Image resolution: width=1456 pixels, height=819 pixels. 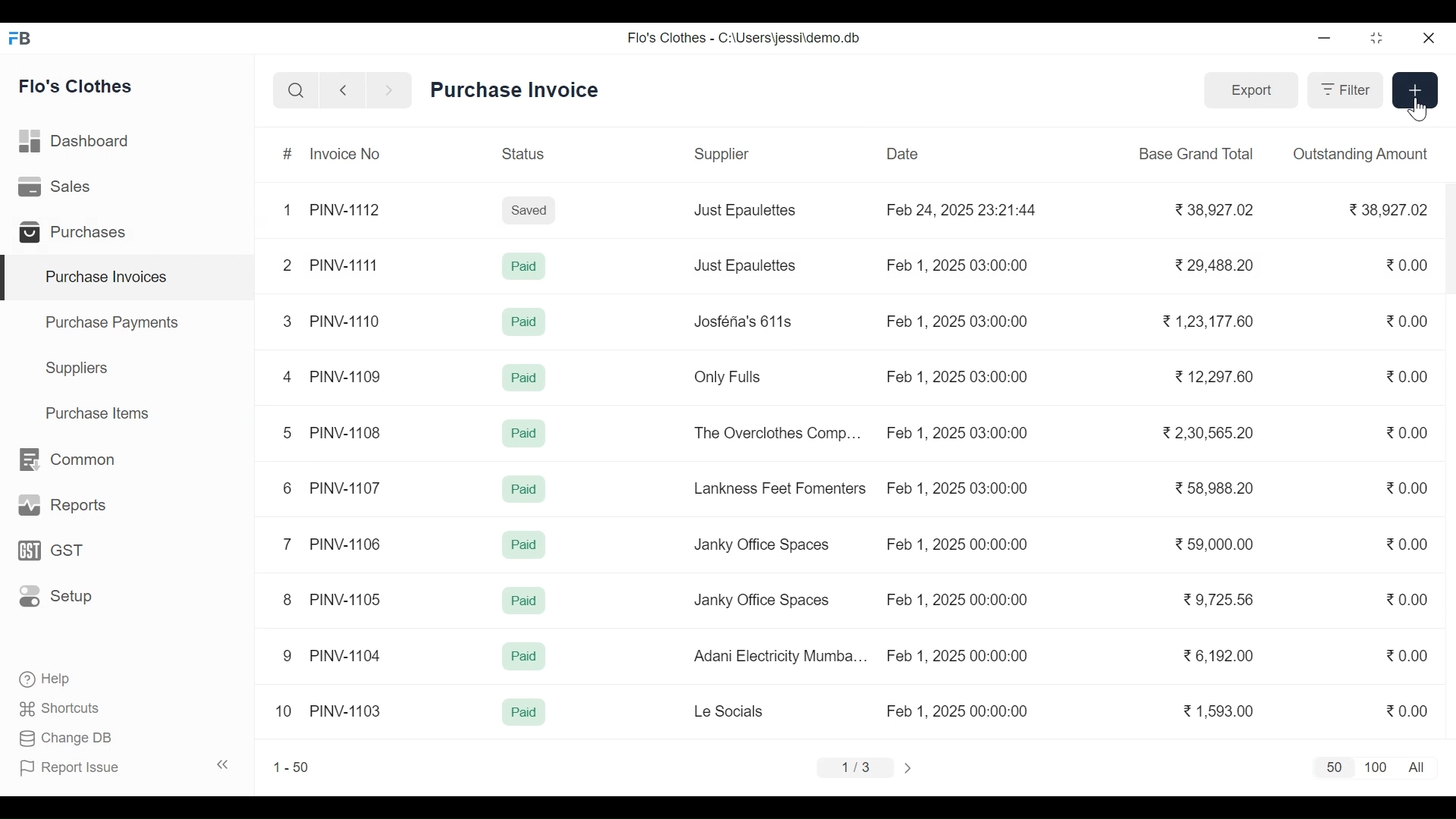 What do you see at coordinates (746, 320) in the screenshot?
I see `Josféna's 611s` at bounding box center [746, 320].